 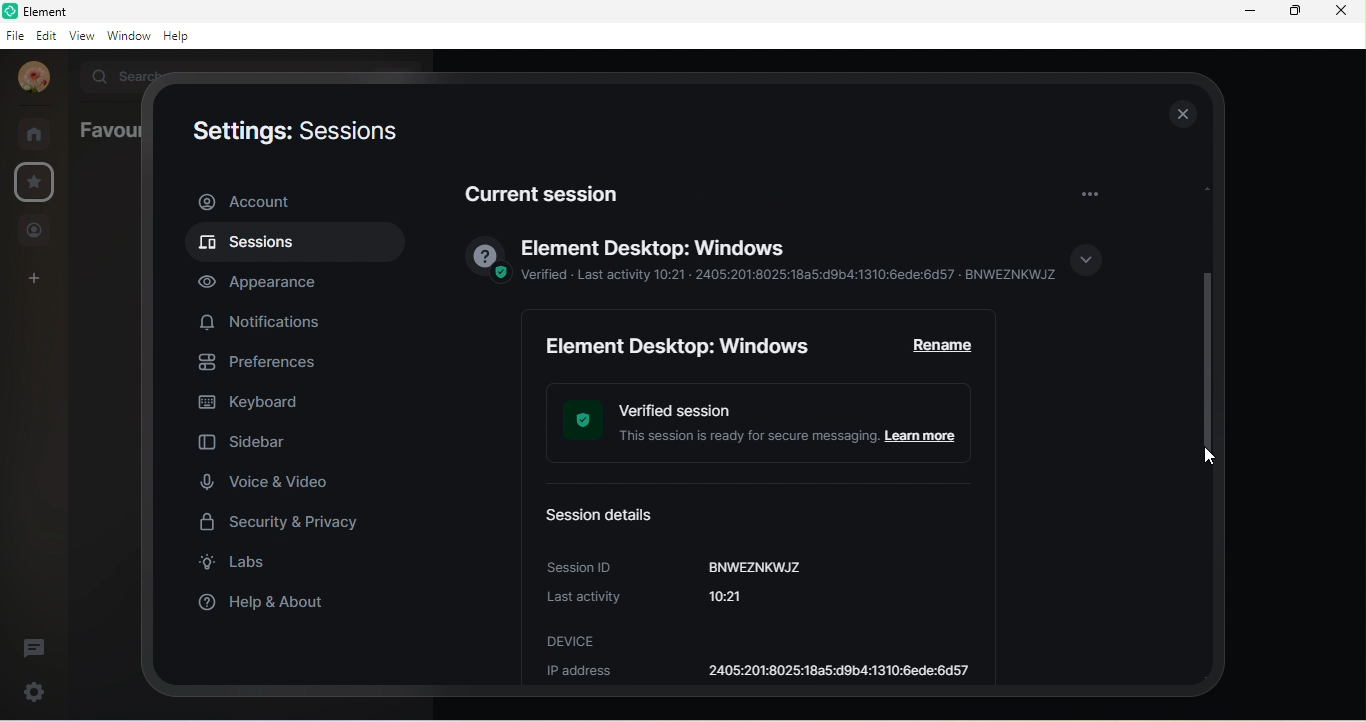 I want to click on file, so click(x=14, y=37).